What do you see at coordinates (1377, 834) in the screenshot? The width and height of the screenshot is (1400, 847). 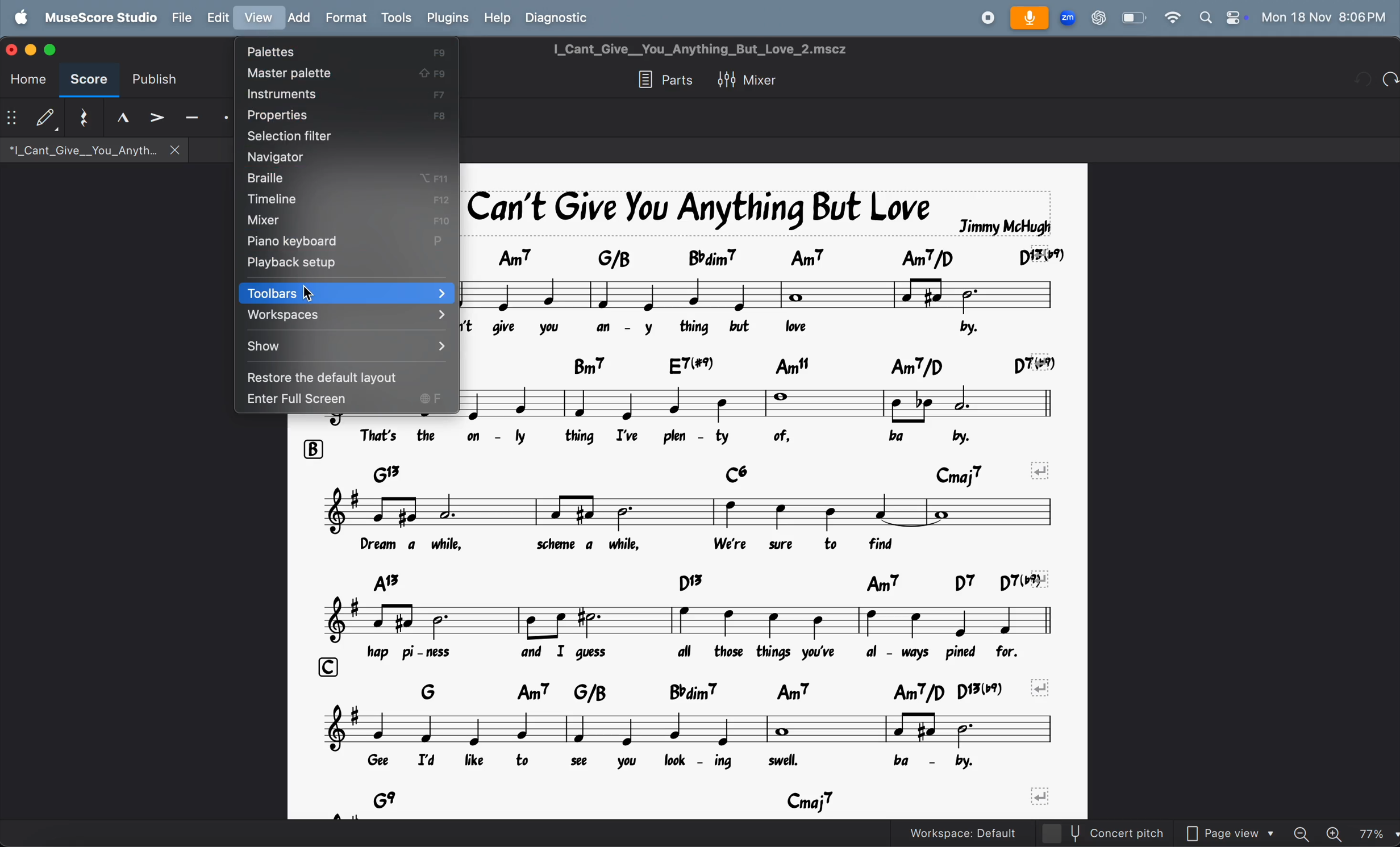 I see `page zoom level` at bounding box center [1377, 834].